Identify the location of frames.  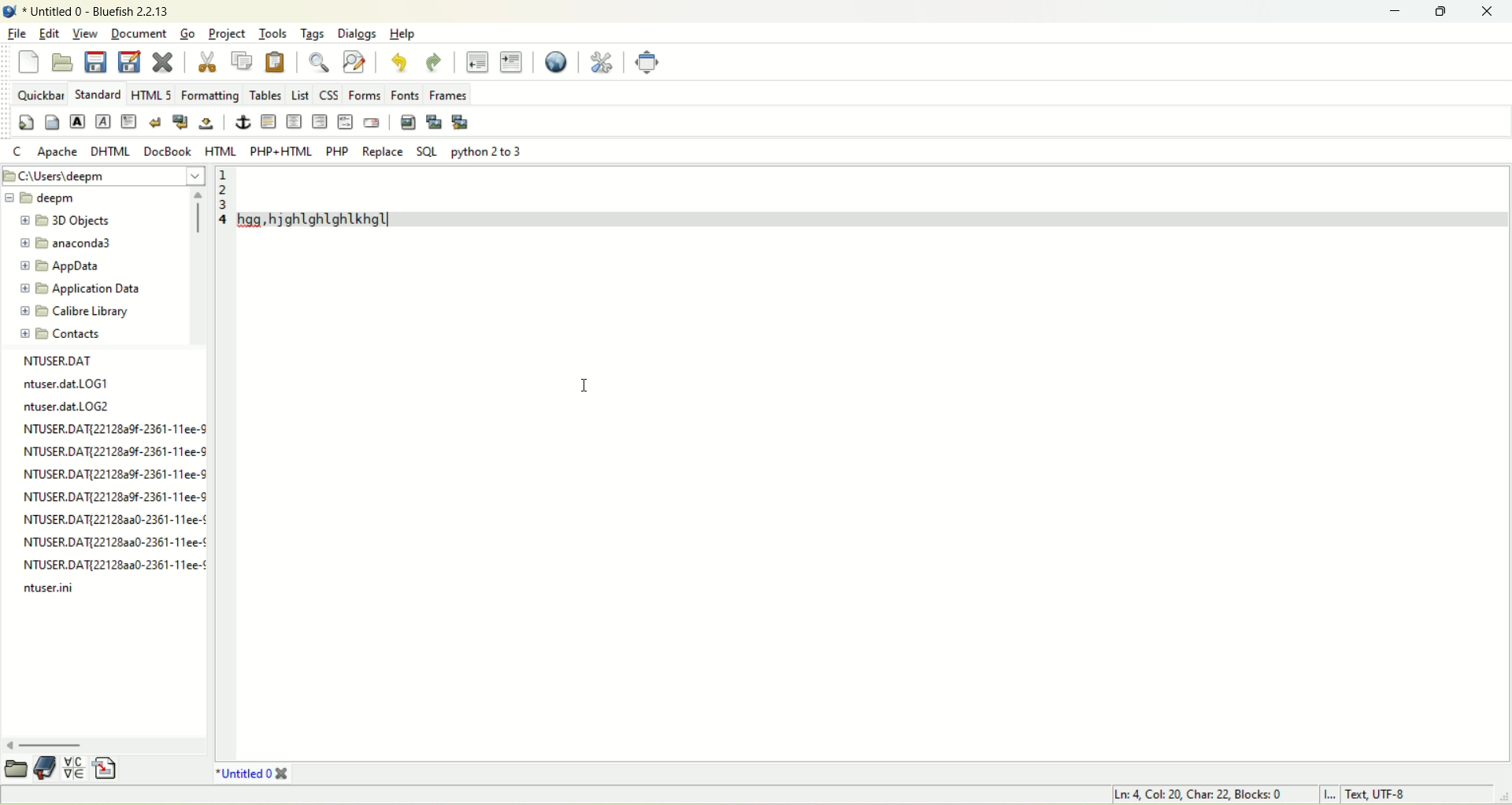
(448, 95).